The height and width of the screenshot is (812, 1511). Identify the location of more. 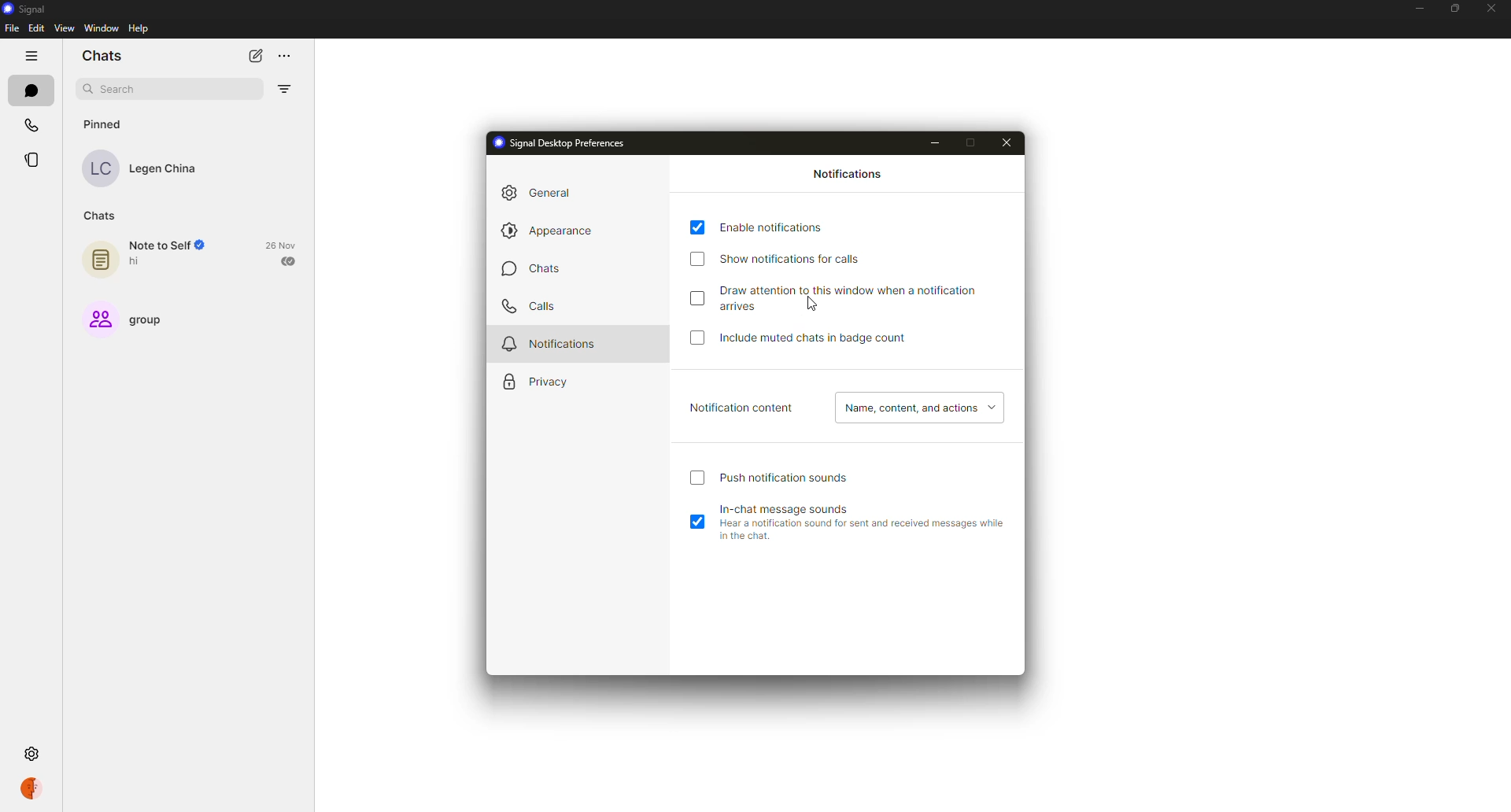
(286, 55).